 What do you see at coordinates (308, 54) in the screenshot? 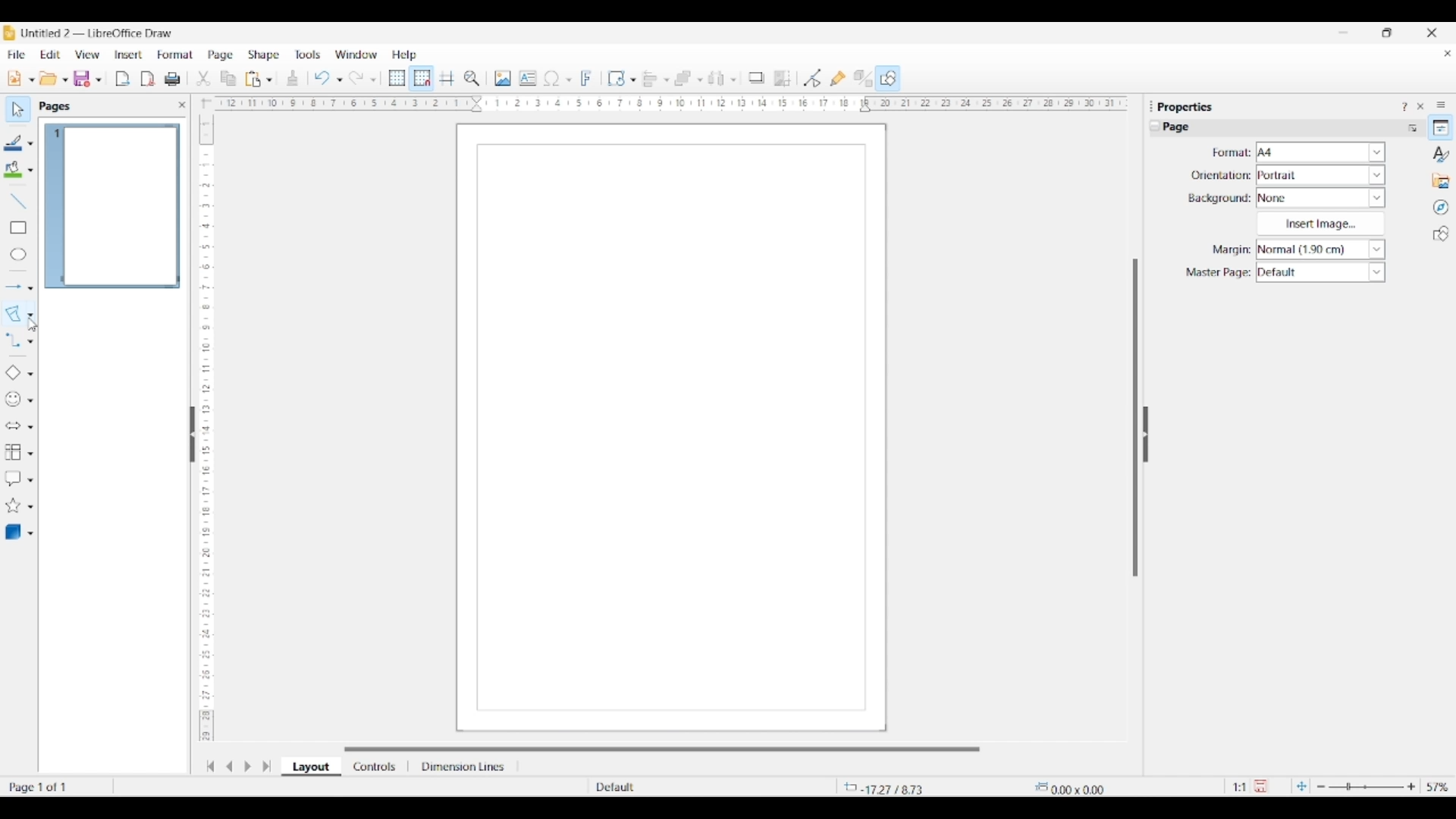
I see `Tools` at bounding box center [308, 54].